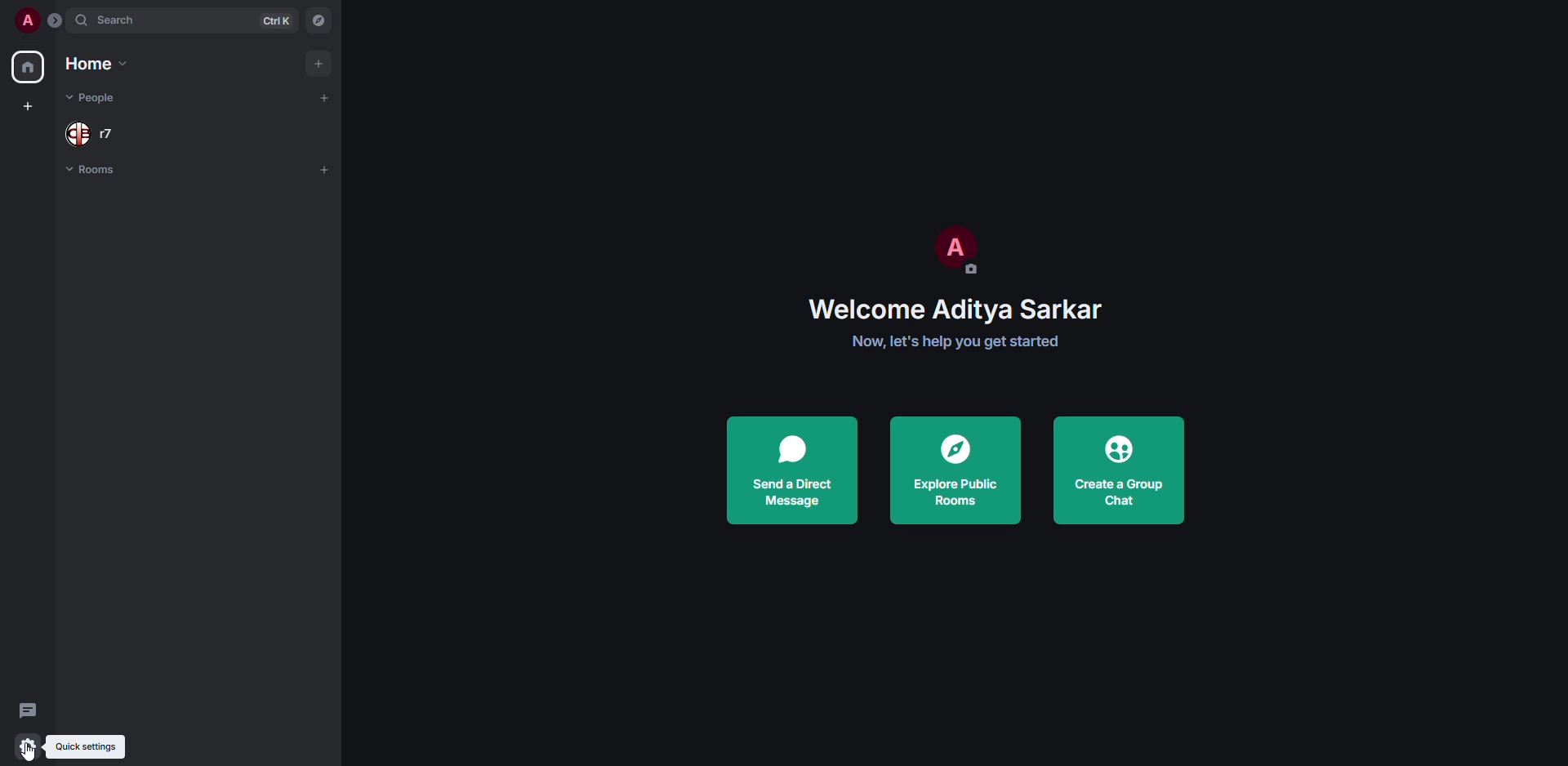 The image size is (1568, 766). What do you see at coordinates (91, 133) in the screenshot?
I see `people` at bounding box center [91, 133].